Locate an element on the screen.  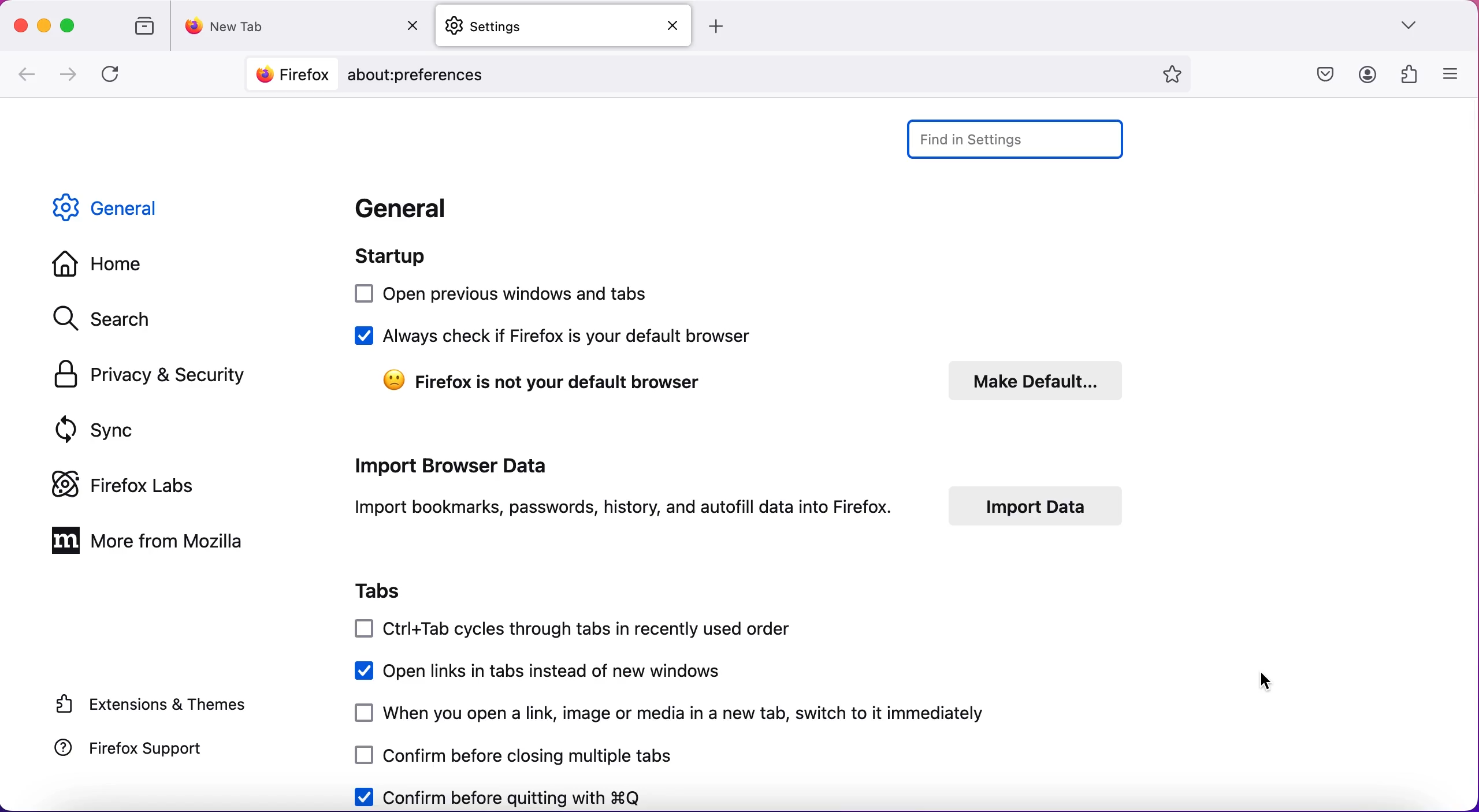
firefox is not your default browser is located at coordinates (544, 386).